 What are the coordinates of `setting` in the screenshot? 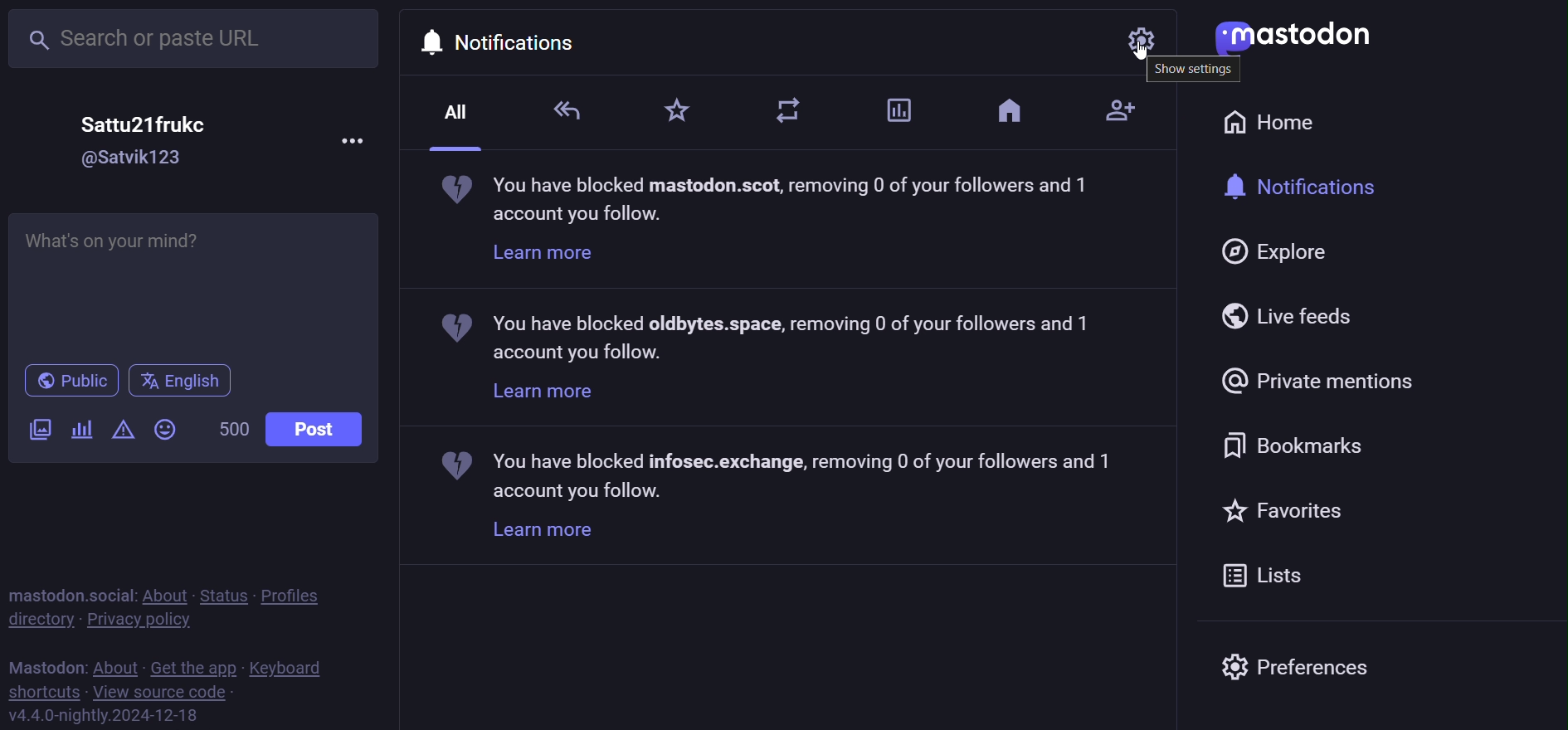 It's located at (1142, 41).